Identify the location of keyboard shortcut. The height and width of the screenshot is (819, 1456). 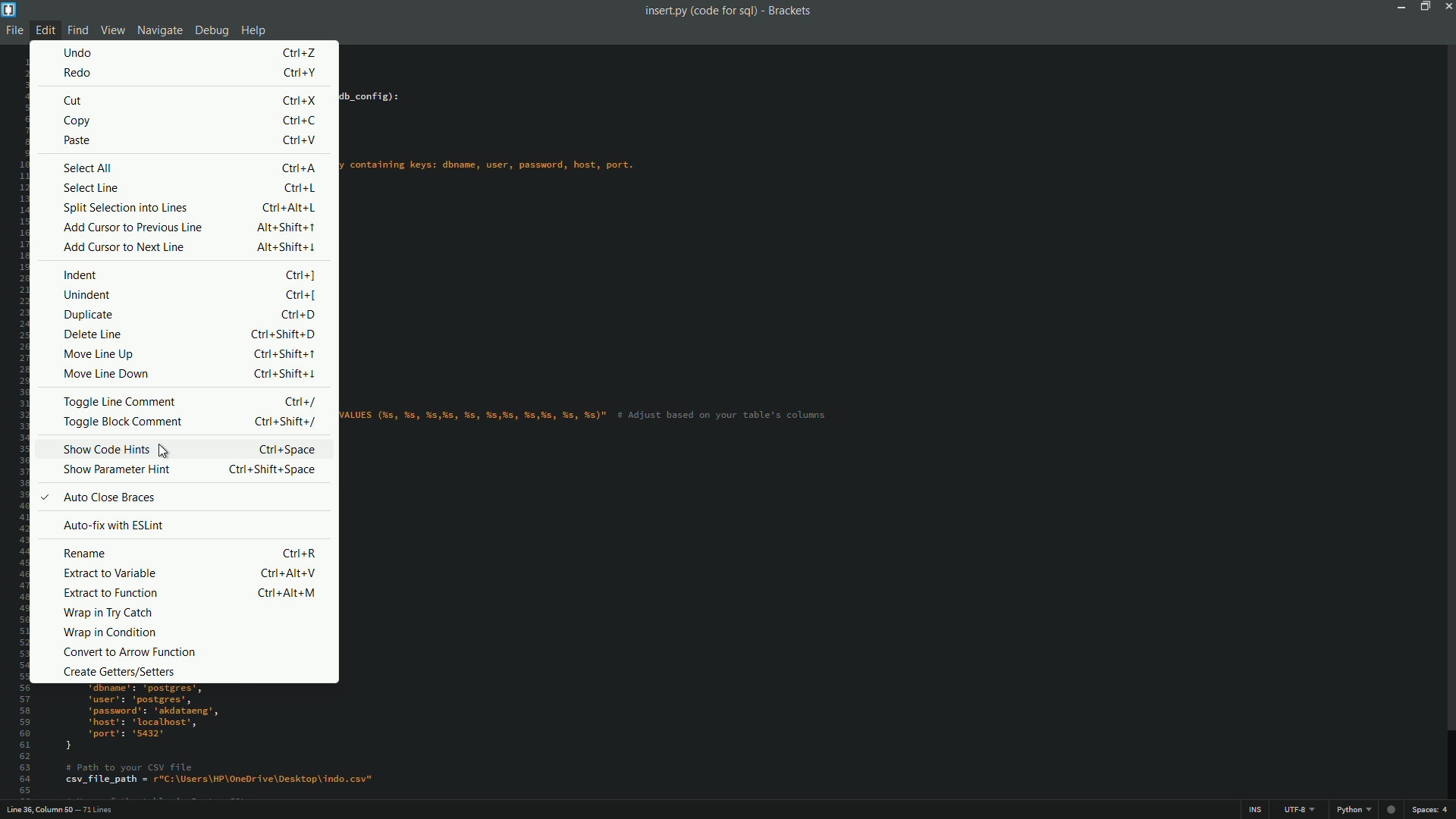
(299, 169).